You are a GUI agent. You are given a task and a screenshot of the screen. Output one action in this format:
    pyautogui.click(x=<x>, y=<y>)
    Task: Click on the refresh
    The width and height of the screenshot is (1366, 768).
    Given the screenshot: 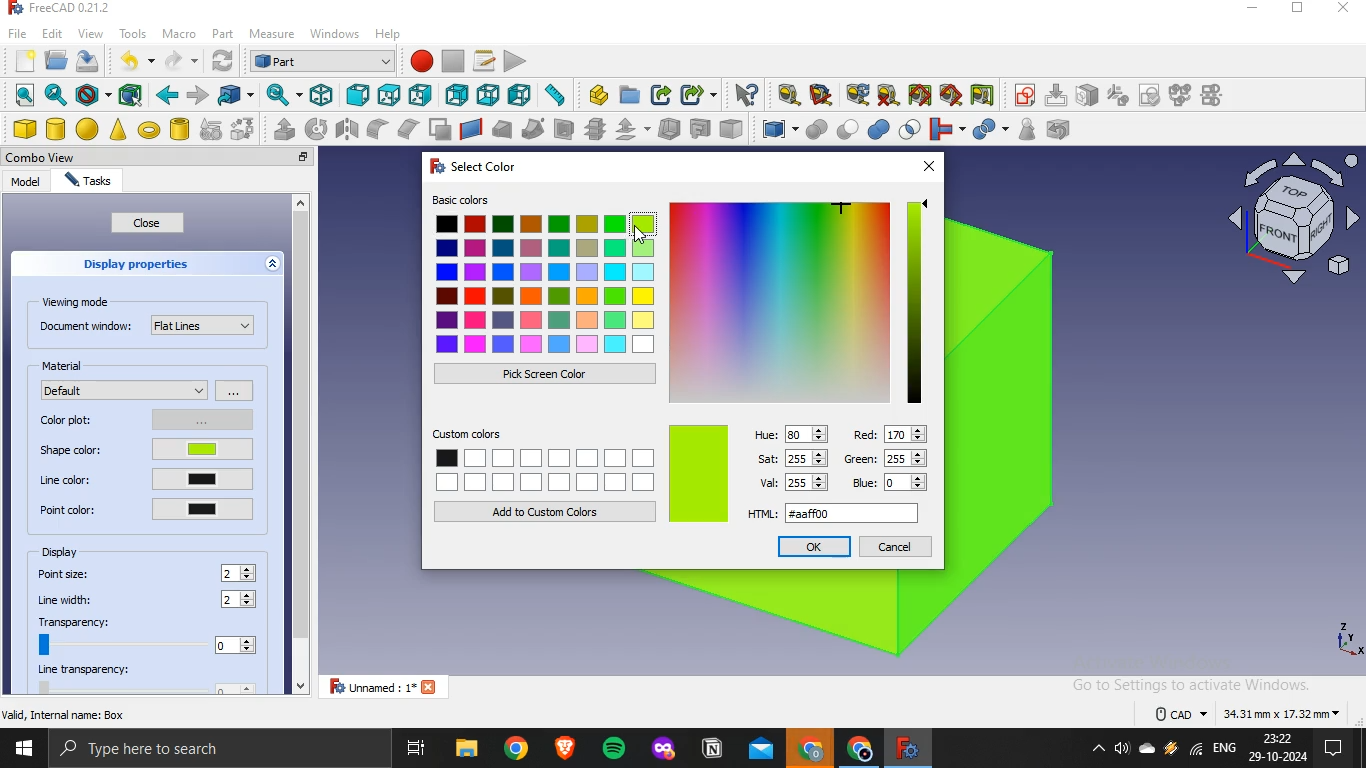 What is the action you would take?
    pyautogui.click(x=857, y=94)
    